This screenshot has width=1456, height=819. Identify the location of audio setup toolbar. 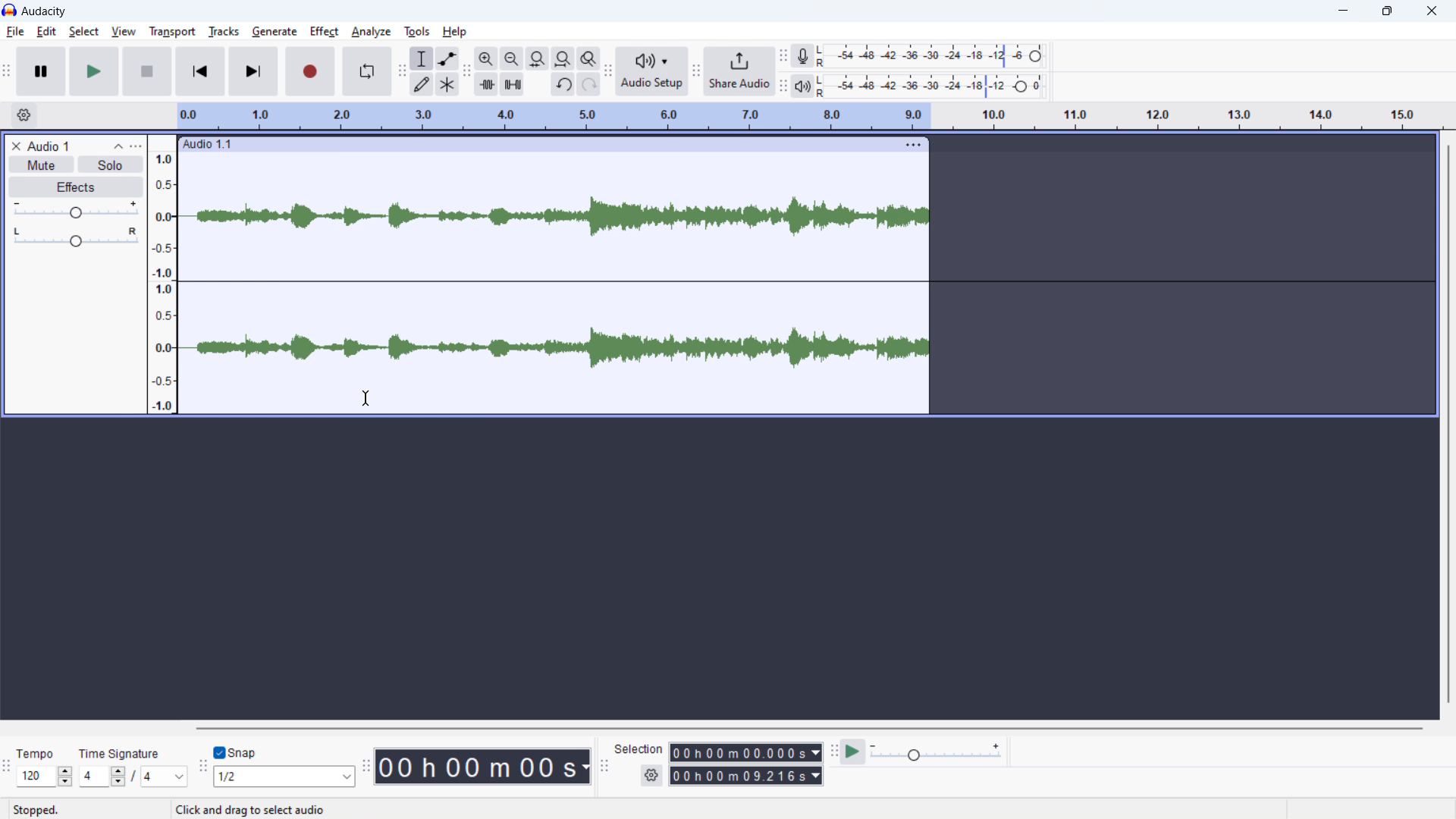
(608, 73).